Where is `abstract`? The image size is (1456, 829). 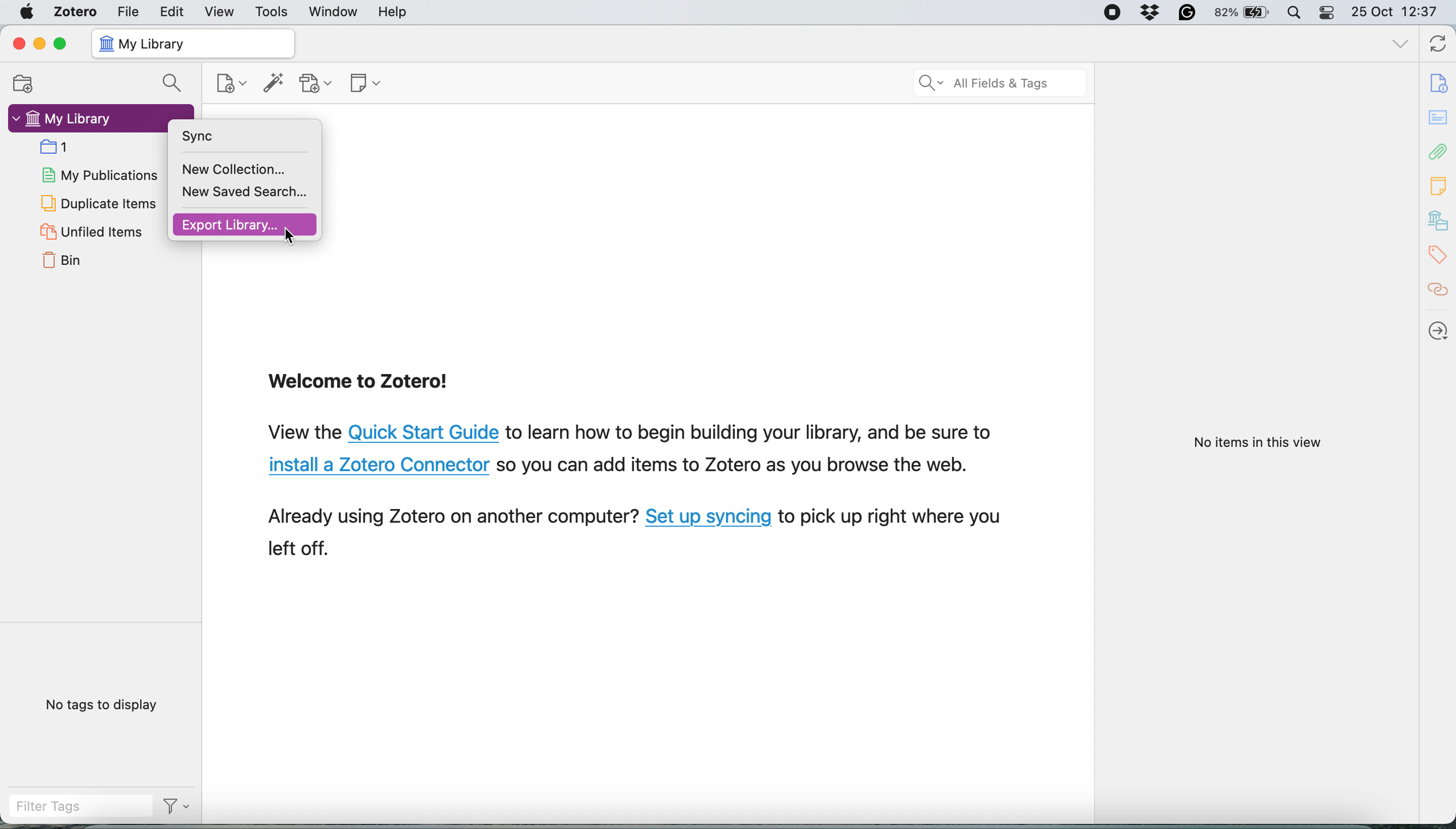
abstract is located at coordinates (1439, 117).